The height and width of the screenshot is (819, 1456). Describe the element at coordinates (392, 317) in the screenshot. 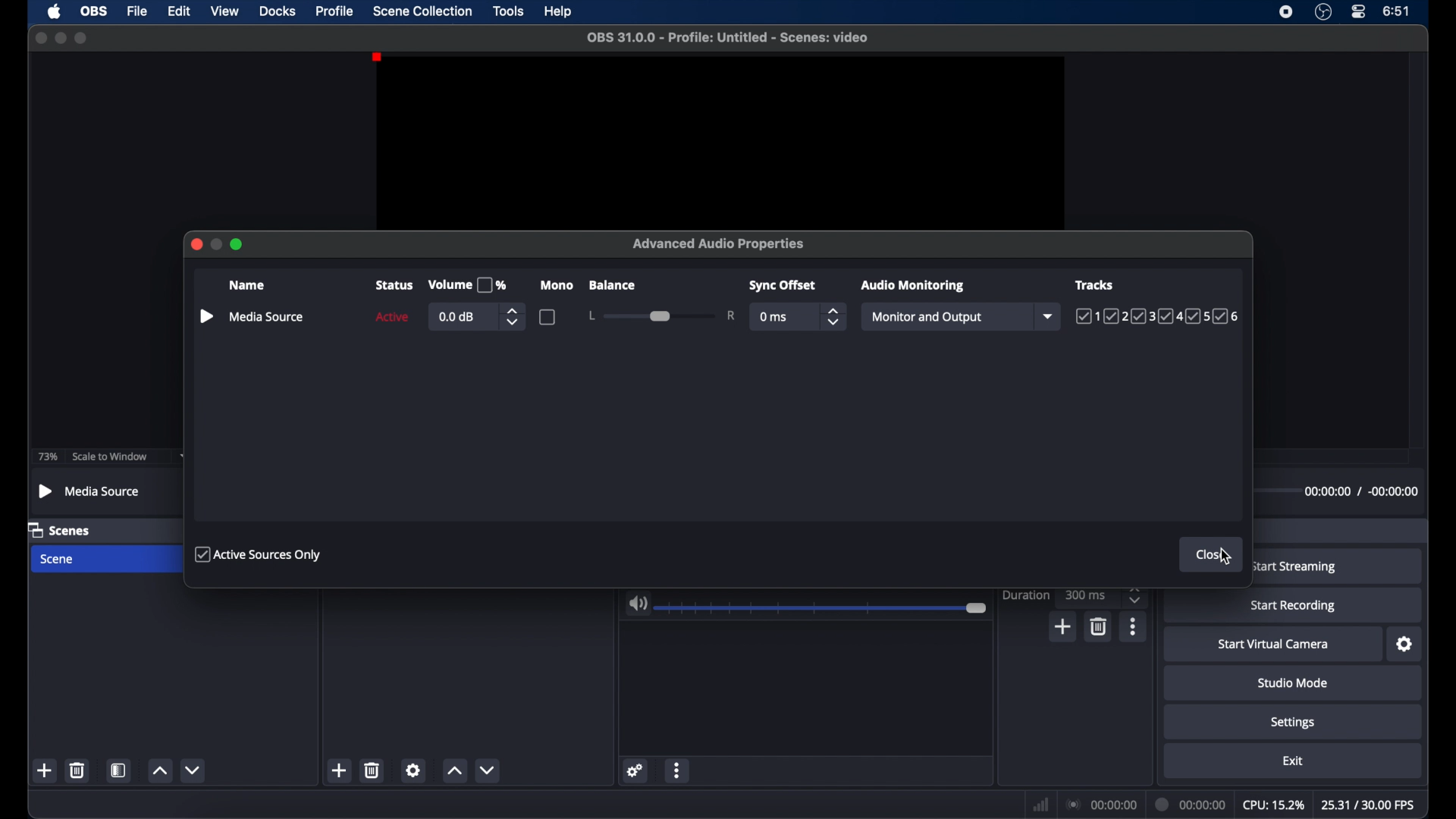

I see `active` at that location.